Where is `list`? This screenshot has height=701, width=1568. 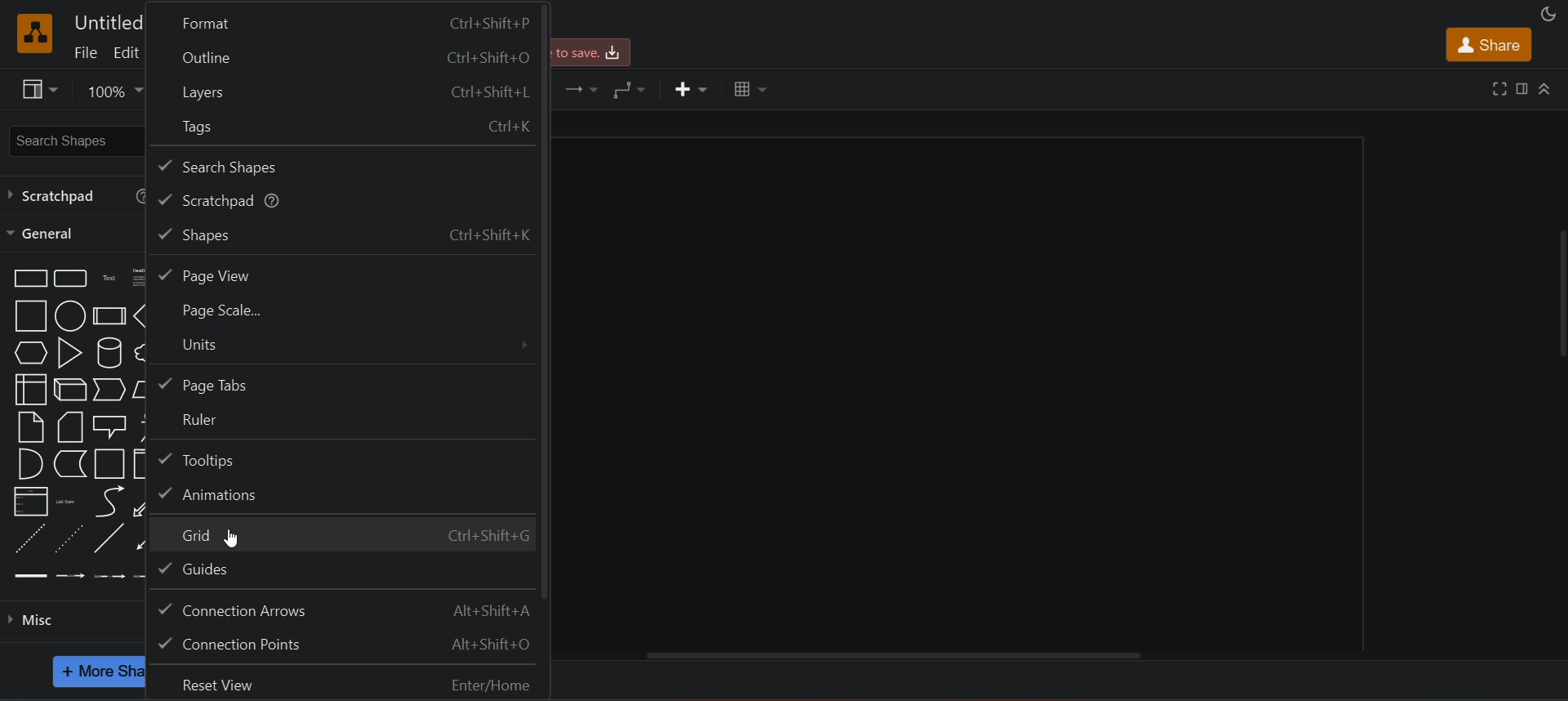
list is located at coordinates (30, 501).